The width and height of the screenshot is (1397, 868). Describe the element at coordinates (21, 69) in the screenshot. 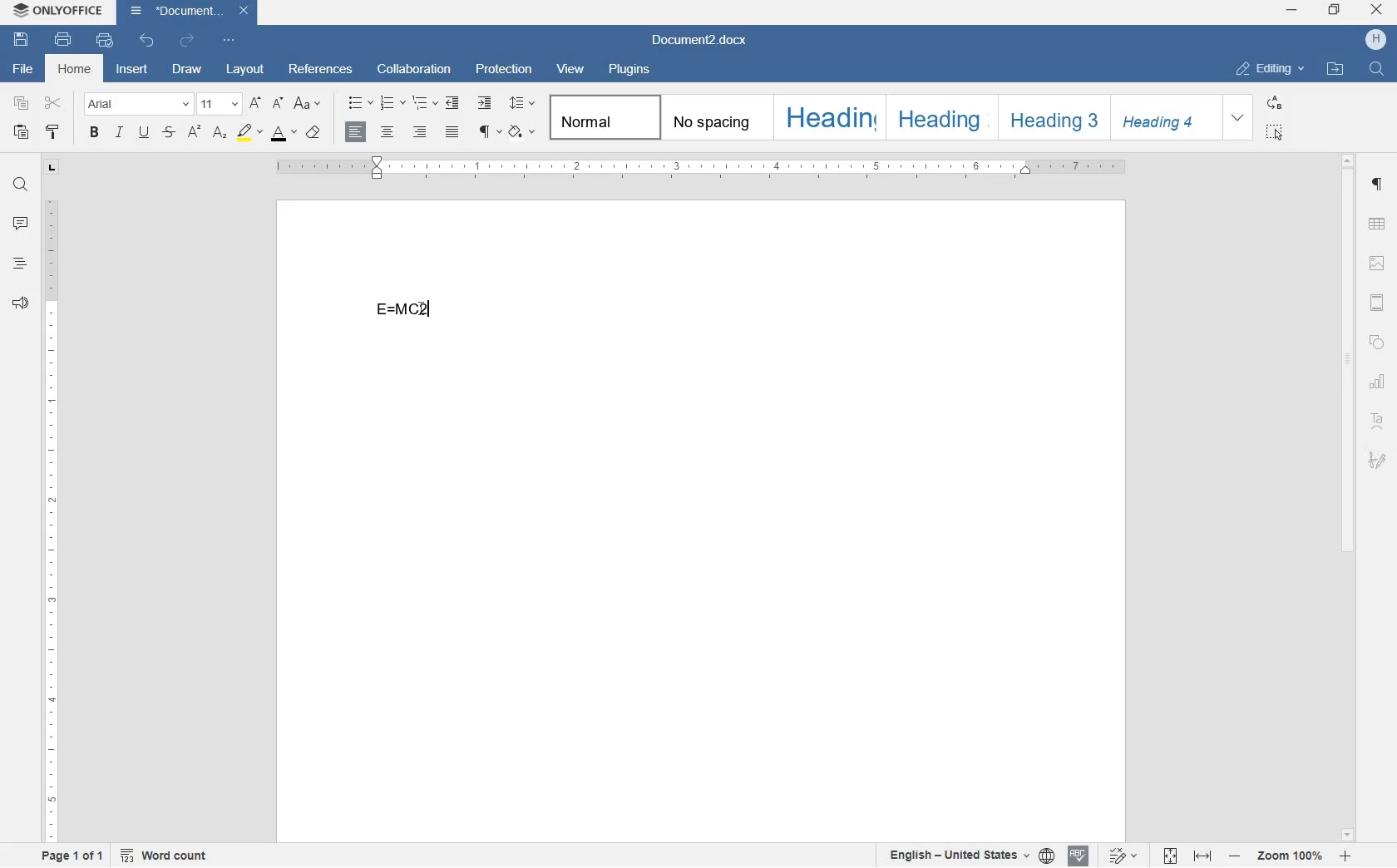

I see `file` at that location.